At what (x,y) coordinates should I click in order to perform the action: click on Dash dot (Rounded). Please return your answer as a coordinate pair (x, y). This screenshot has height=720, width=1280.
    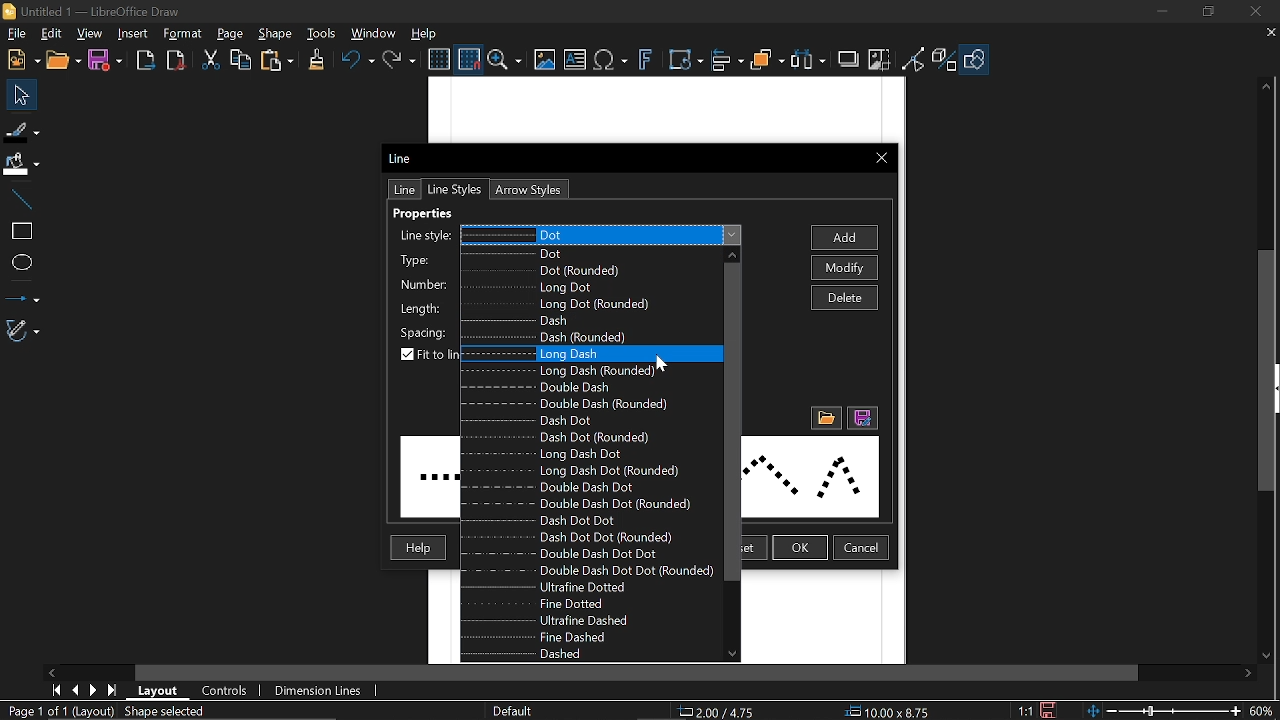
    Looking at the image, I should click on (587, 439).